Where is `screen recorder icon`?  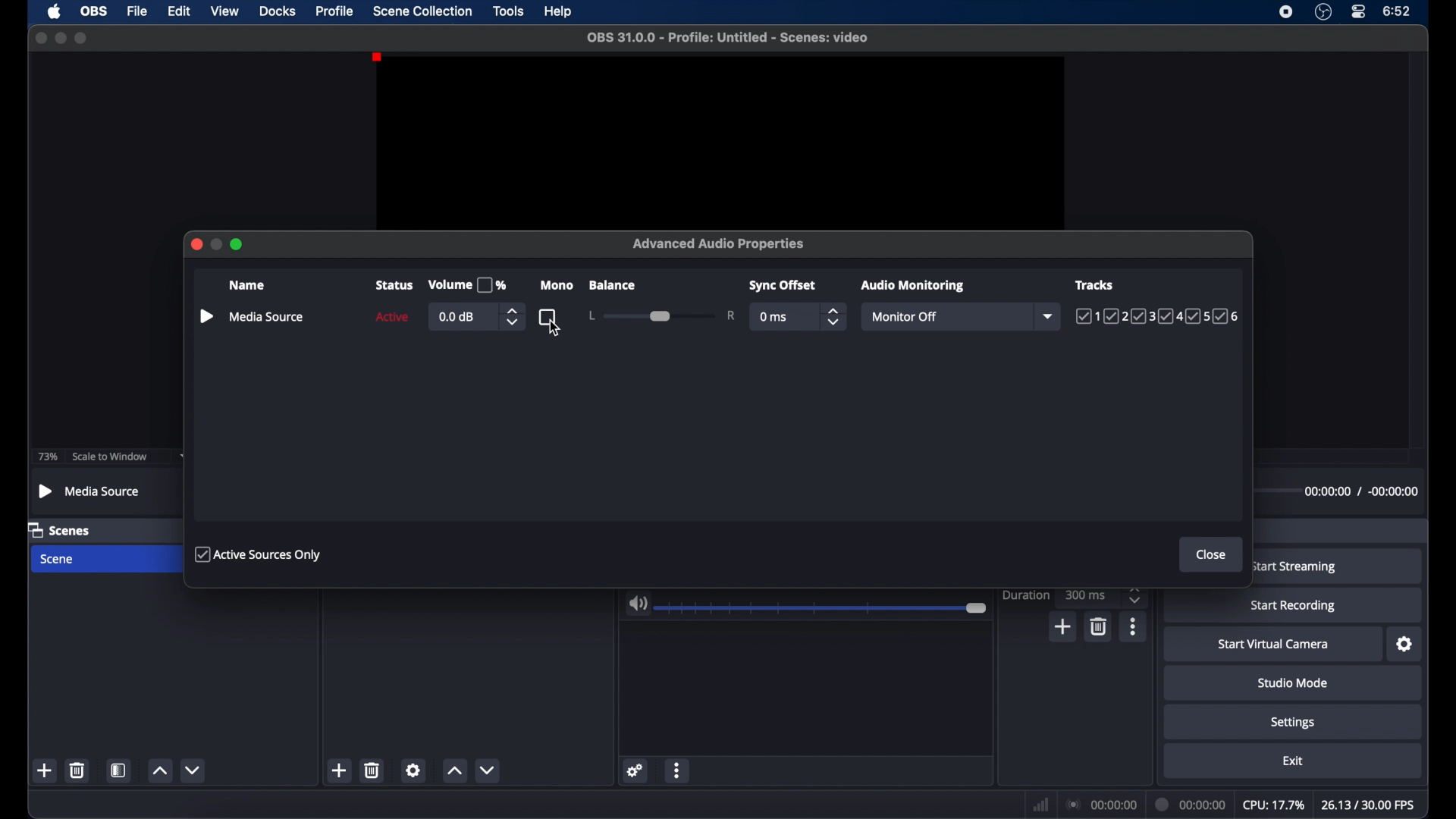
screen recorder icon is located at coordinates (1286, 12).